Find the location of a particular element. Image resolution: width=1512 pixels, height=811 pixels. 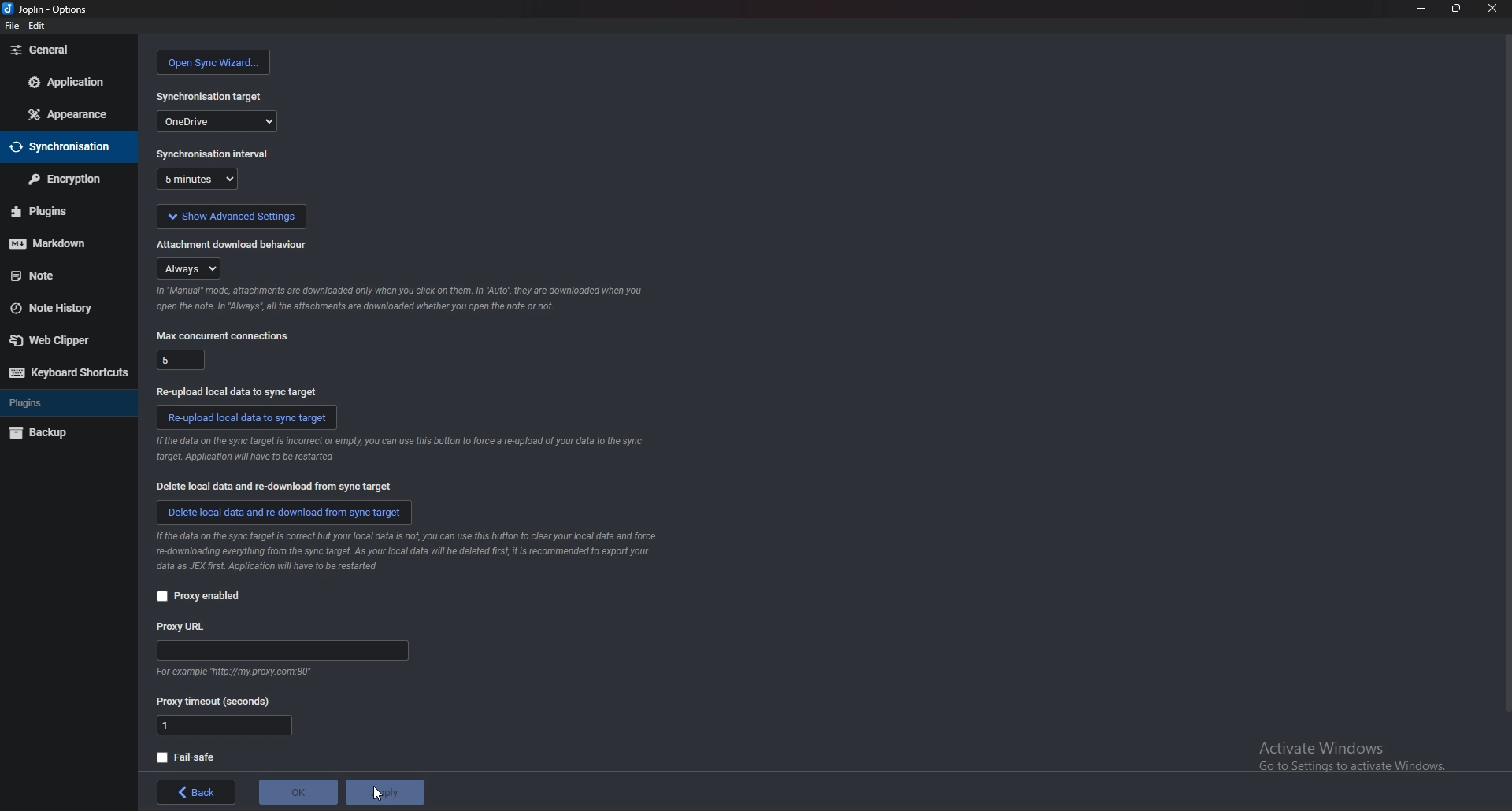

proxy timeout is located at coordinates (215, 702).